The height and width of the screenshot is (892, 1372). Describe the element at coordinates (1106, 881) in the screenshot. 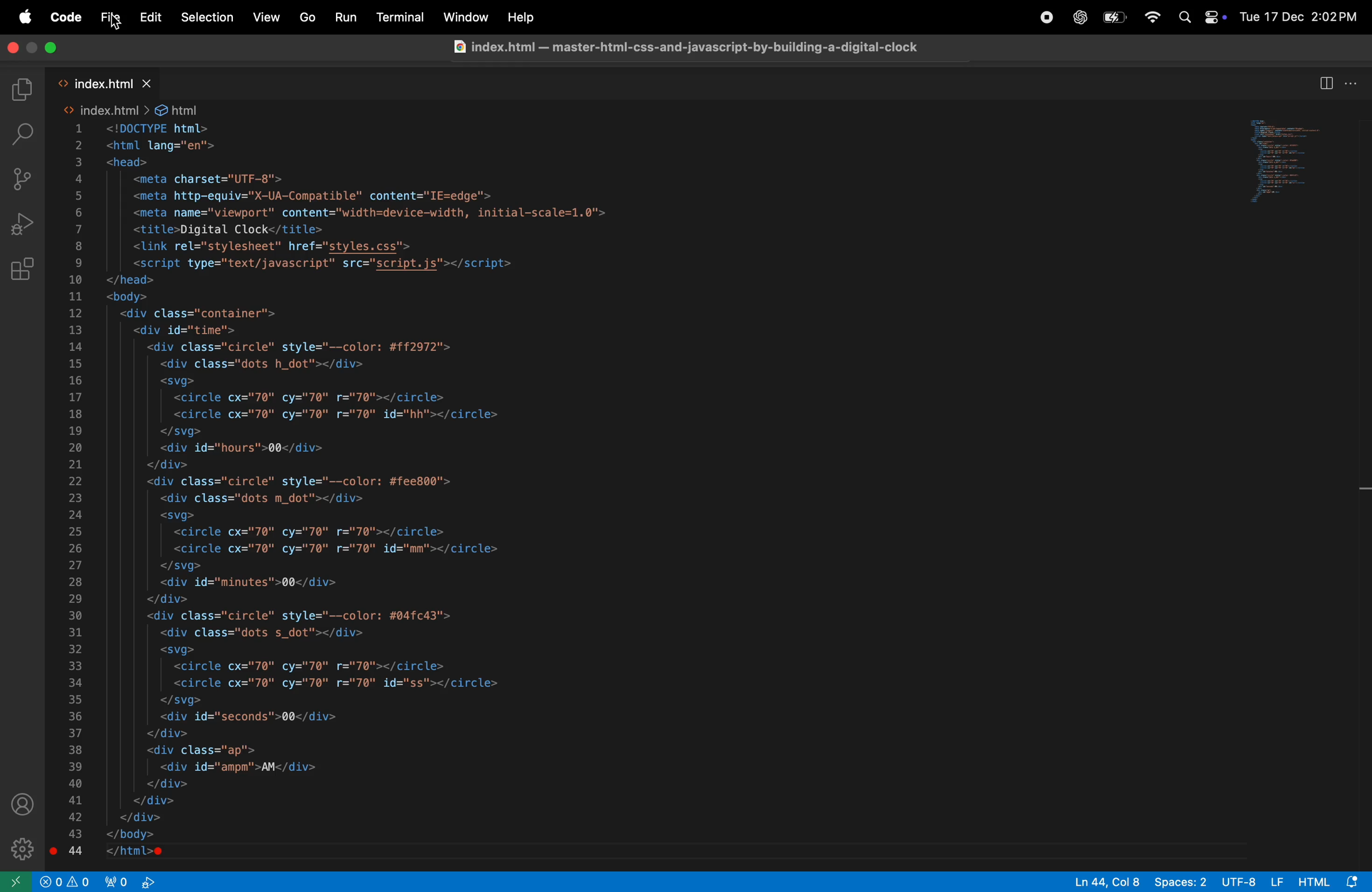

I see `Ln44,  col 8` at that location.